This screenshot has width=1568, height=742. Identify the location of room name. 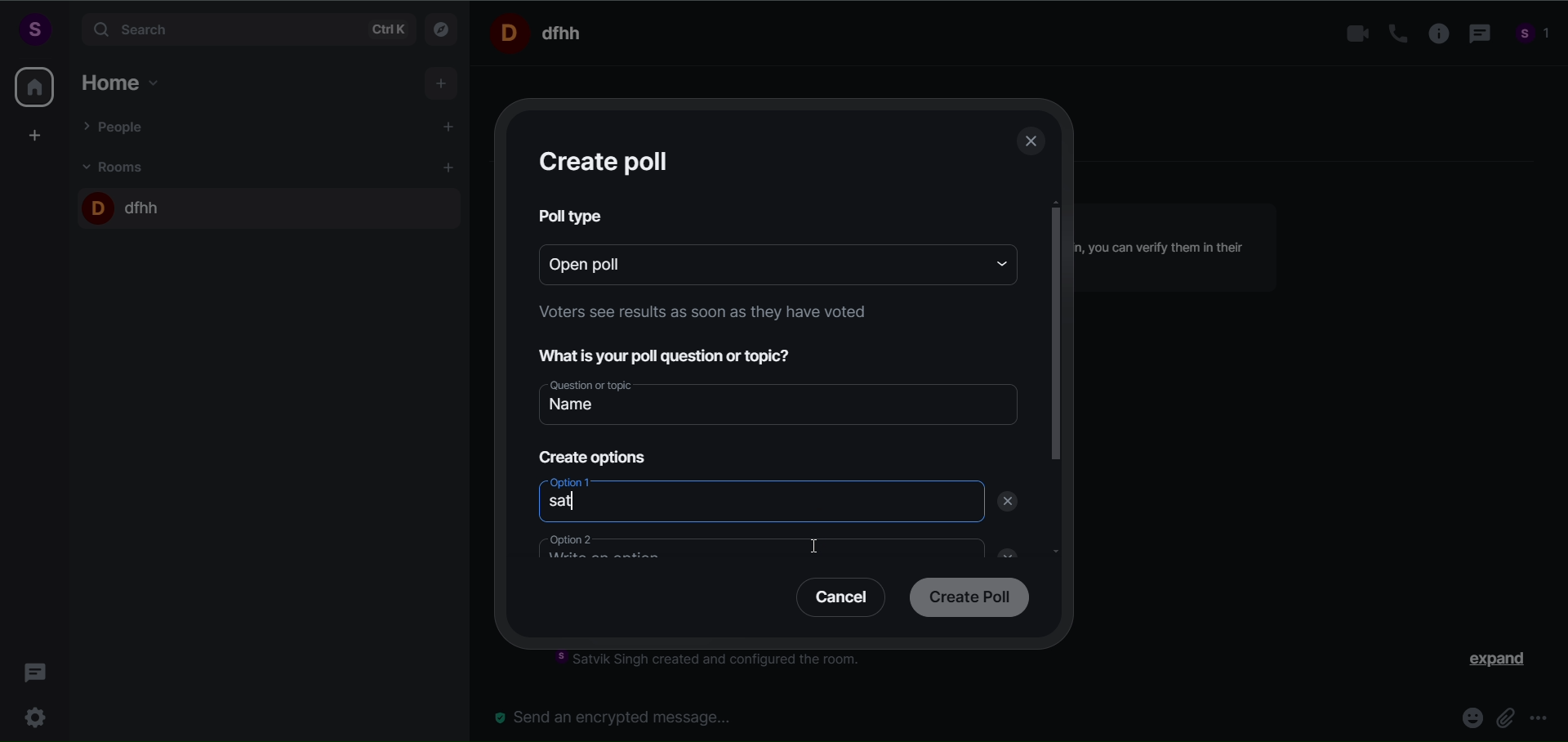
(125, 204).